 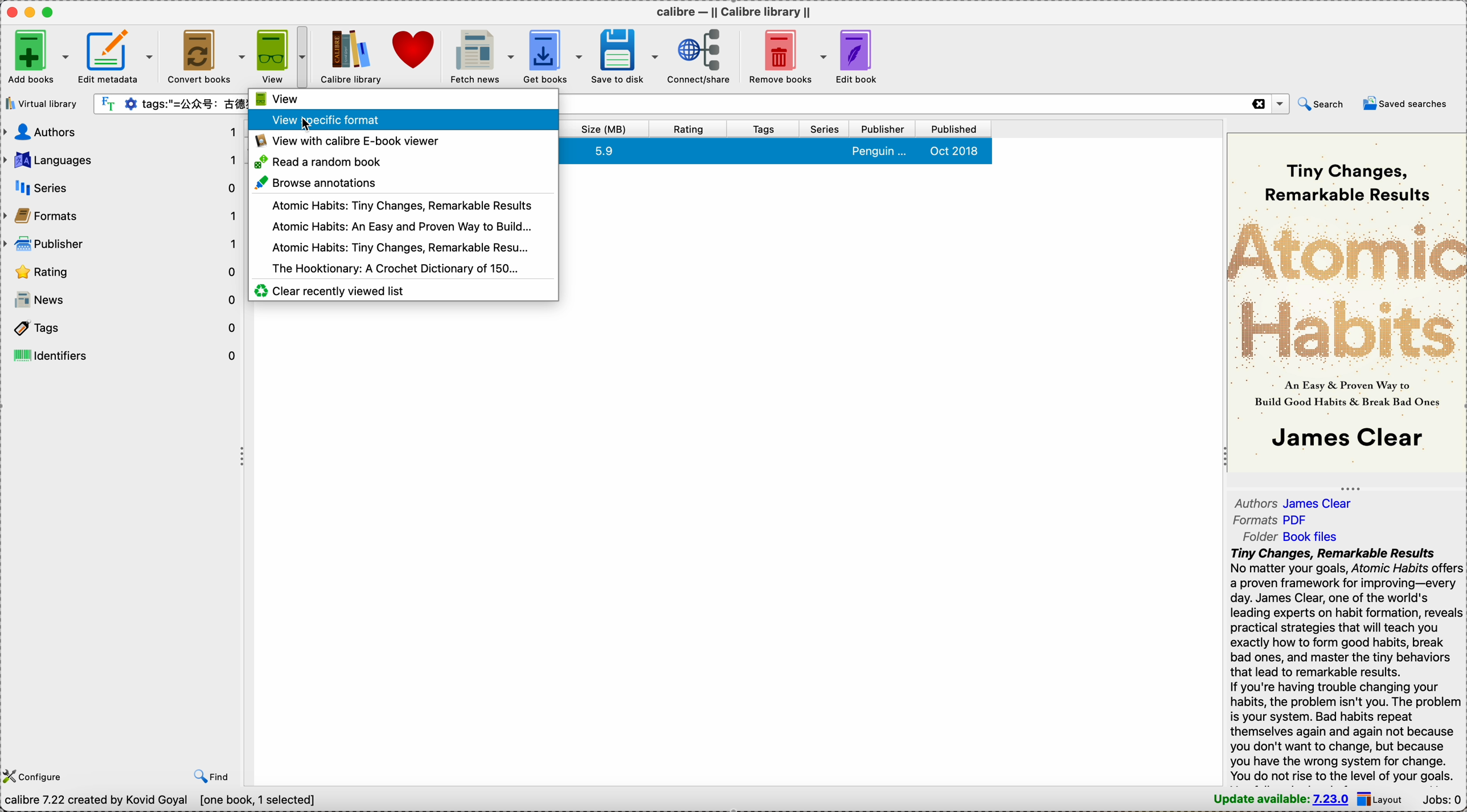 What do you see at coordinates (1293, 536) in the screenshot?
I see `folder` at bounding box center [1293, 536].